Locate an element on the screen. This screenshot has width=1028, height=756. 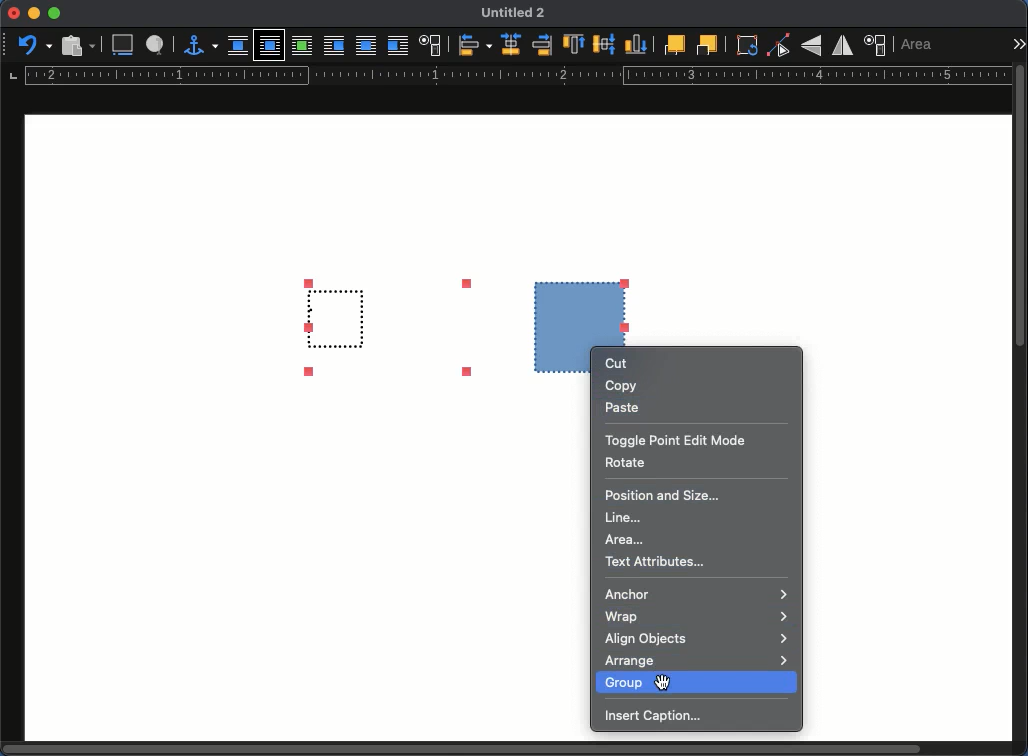
through is located at coordinates (366, 47).